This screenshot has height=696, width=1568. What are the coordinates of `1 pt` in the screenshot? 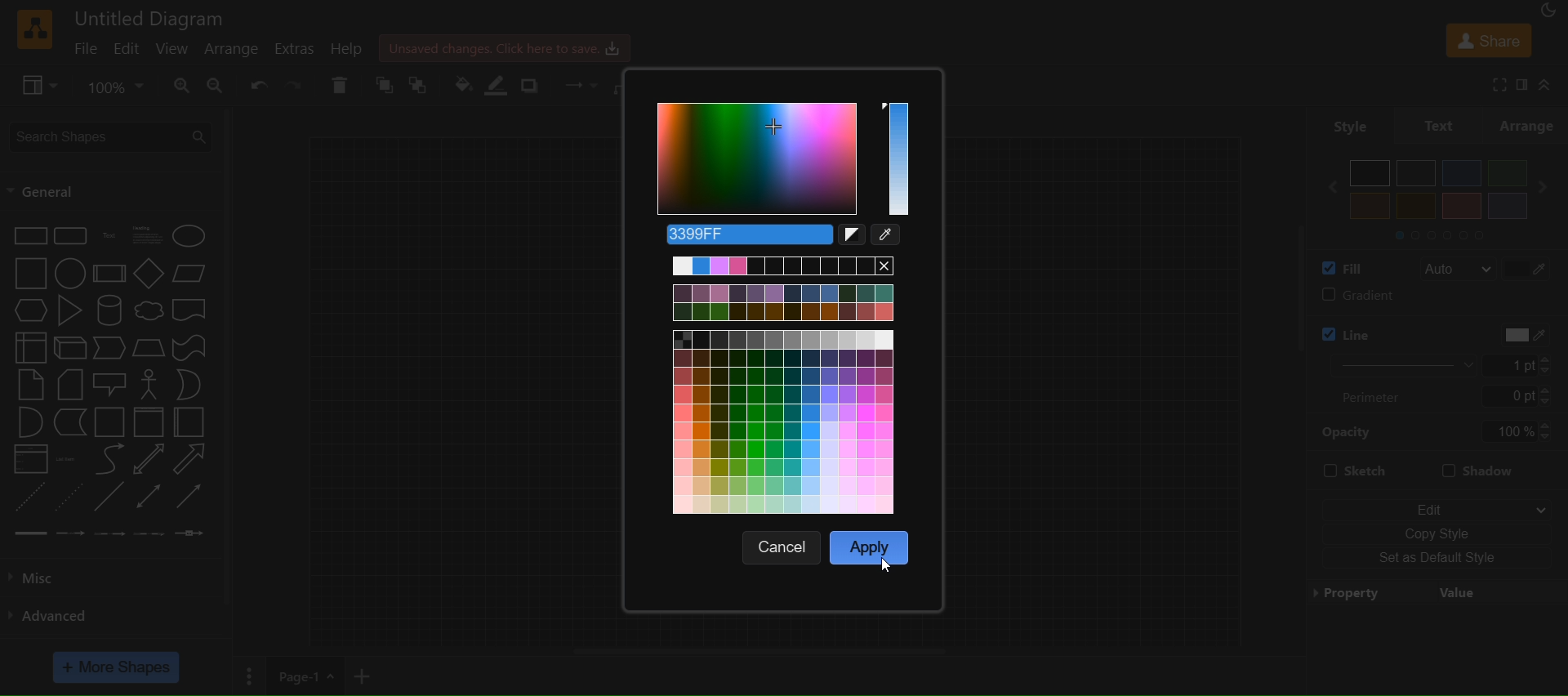 It's located at (1528, 365).